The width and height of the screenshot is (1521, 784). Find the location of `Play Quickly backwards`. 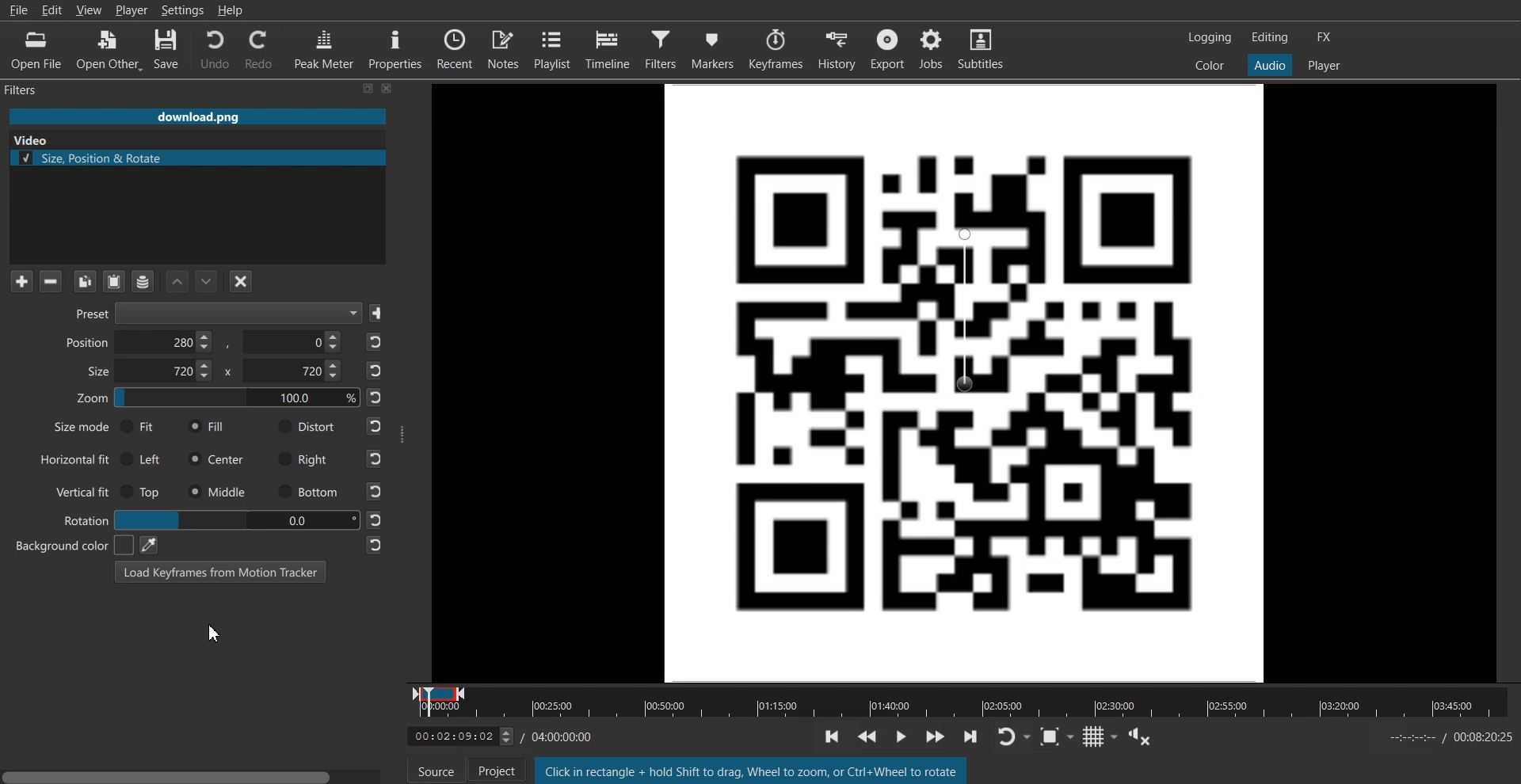

Play Quickly backwards is located at coordinates (870, 735).